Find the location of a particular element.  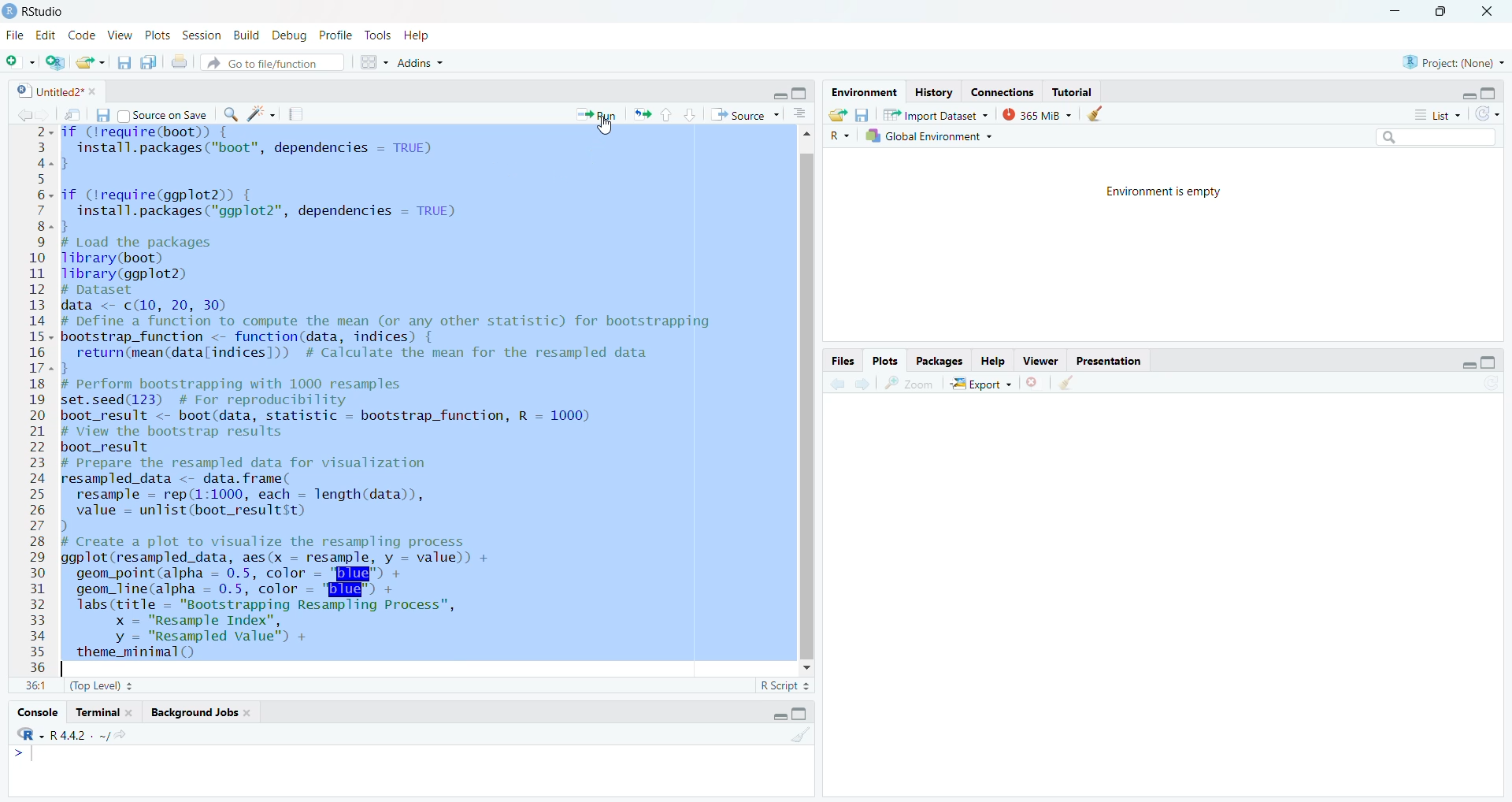

refresh is located at coordinates (1486, 113).